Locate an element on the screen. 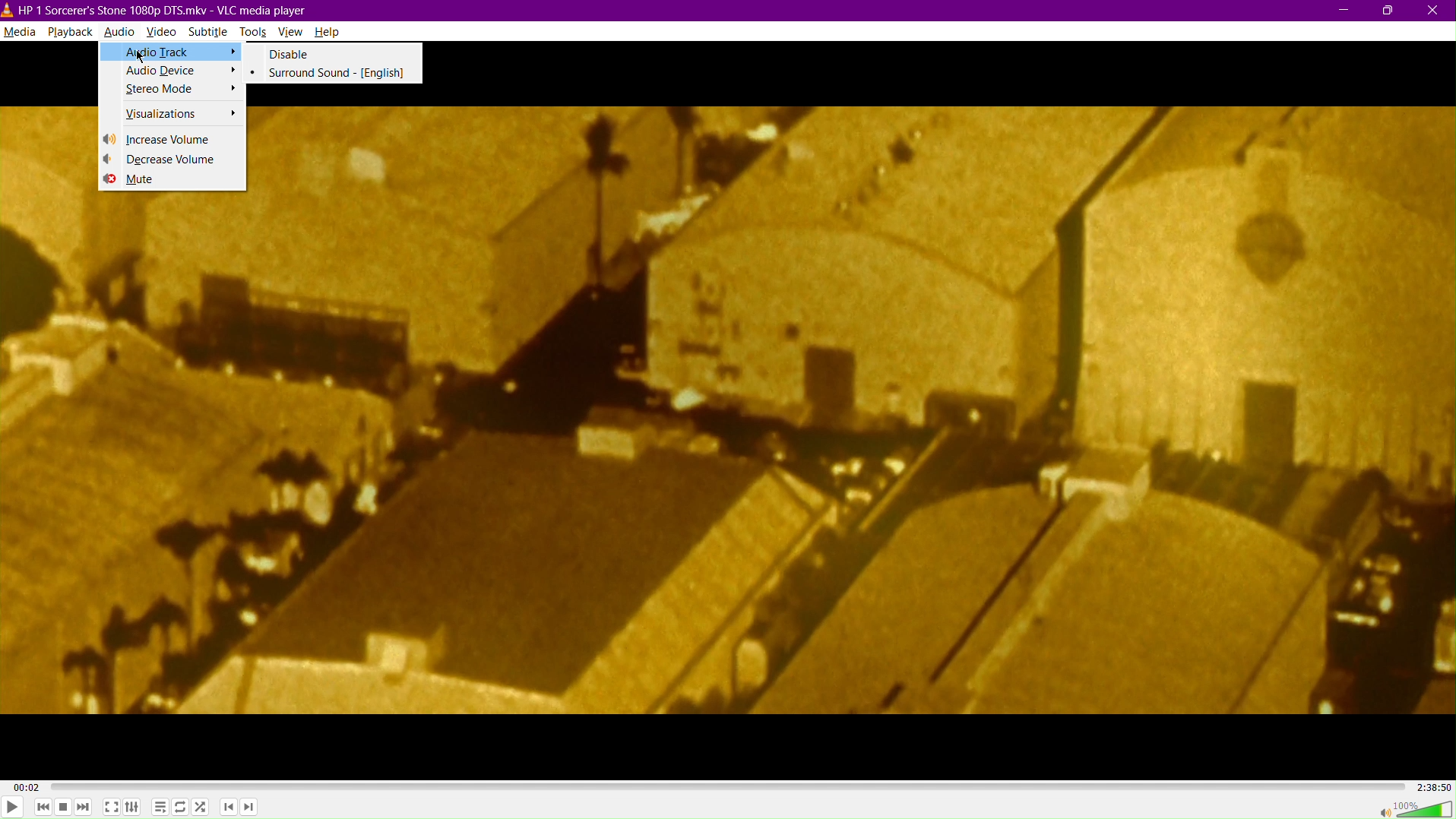  Increase Volume is located at coordinates (173, 139).